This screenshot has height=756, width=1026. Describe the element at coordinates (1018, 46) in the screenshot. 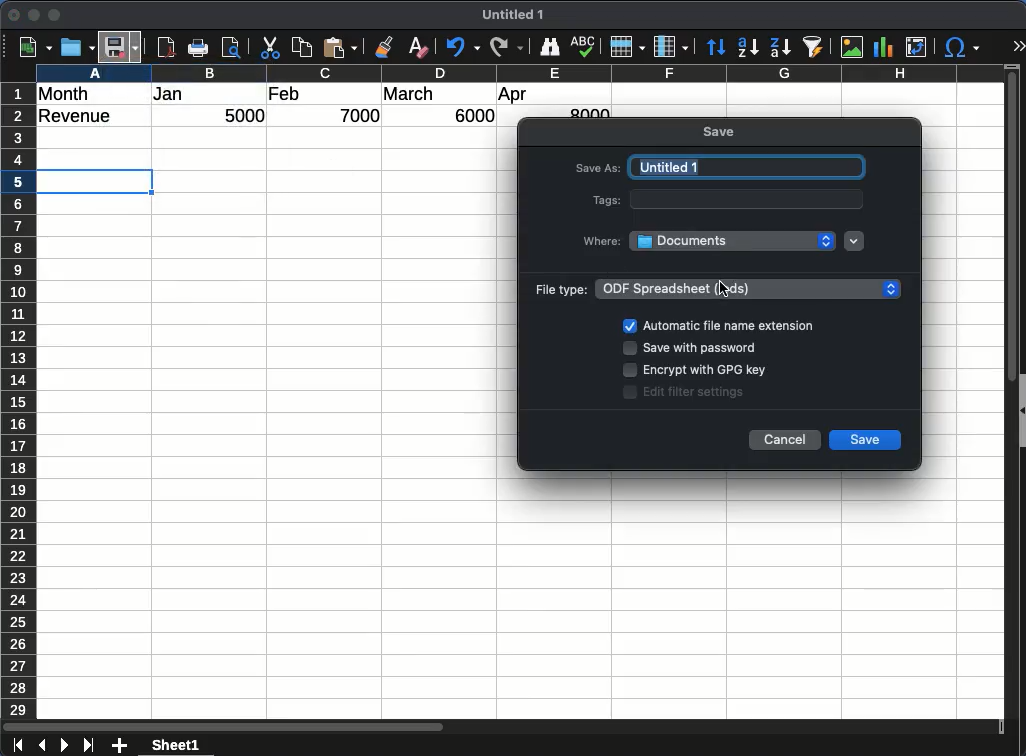

I see `expand` at that location.